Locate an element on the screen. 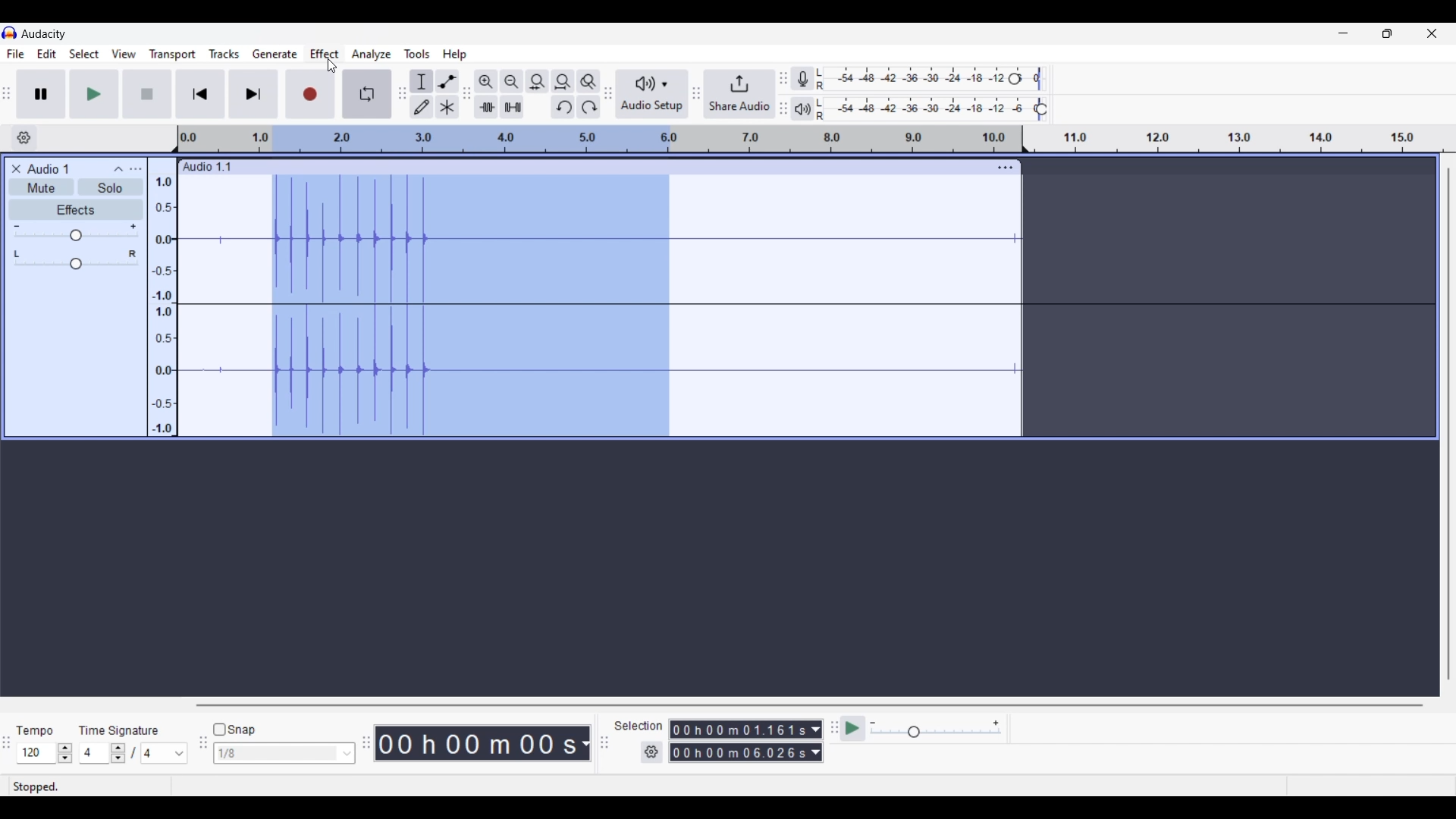  Type in tempo is located at coordinates (37, 753).